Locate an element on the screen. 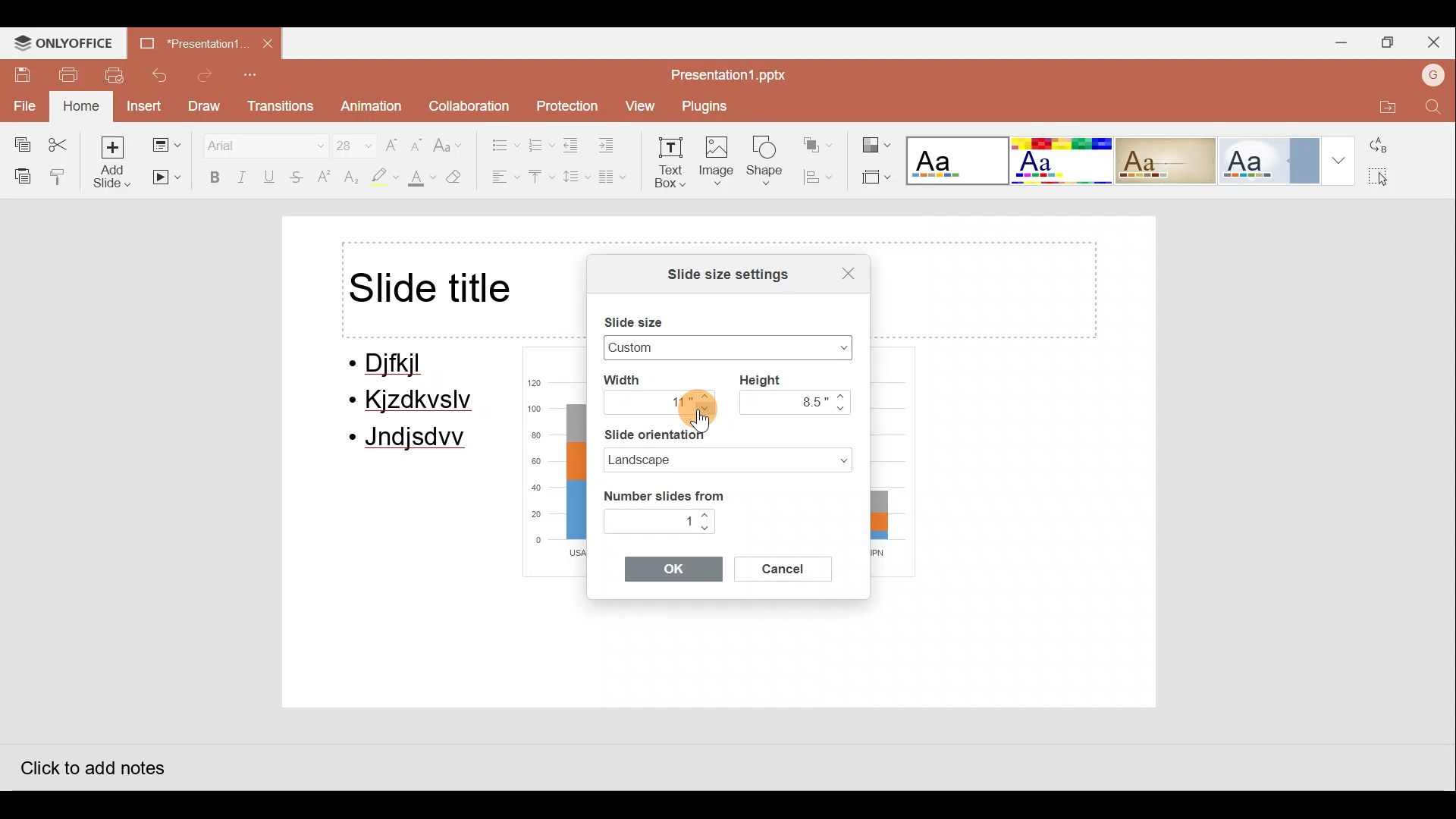 This screenshot has width=1456, height=819. Copy style is located at coordinates (59, 176).